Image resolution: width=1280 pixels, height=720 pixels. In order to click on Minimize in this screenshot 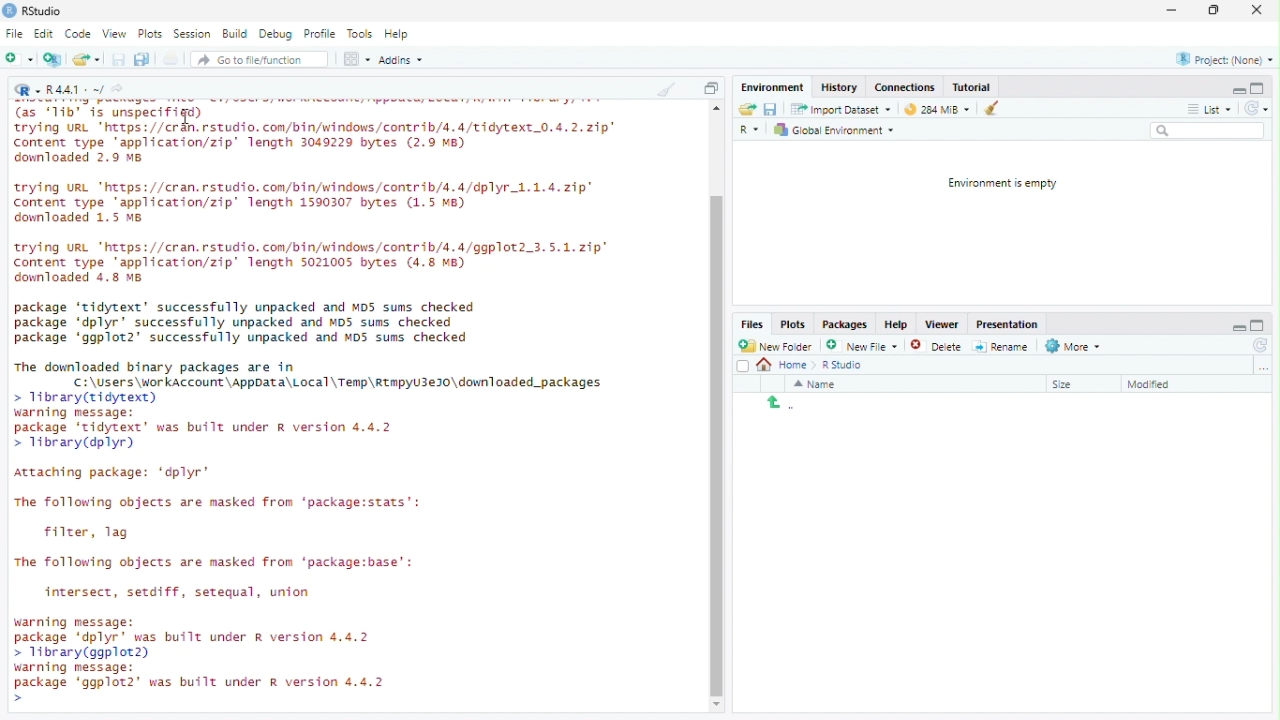, I will do `click(1170, 10)`.